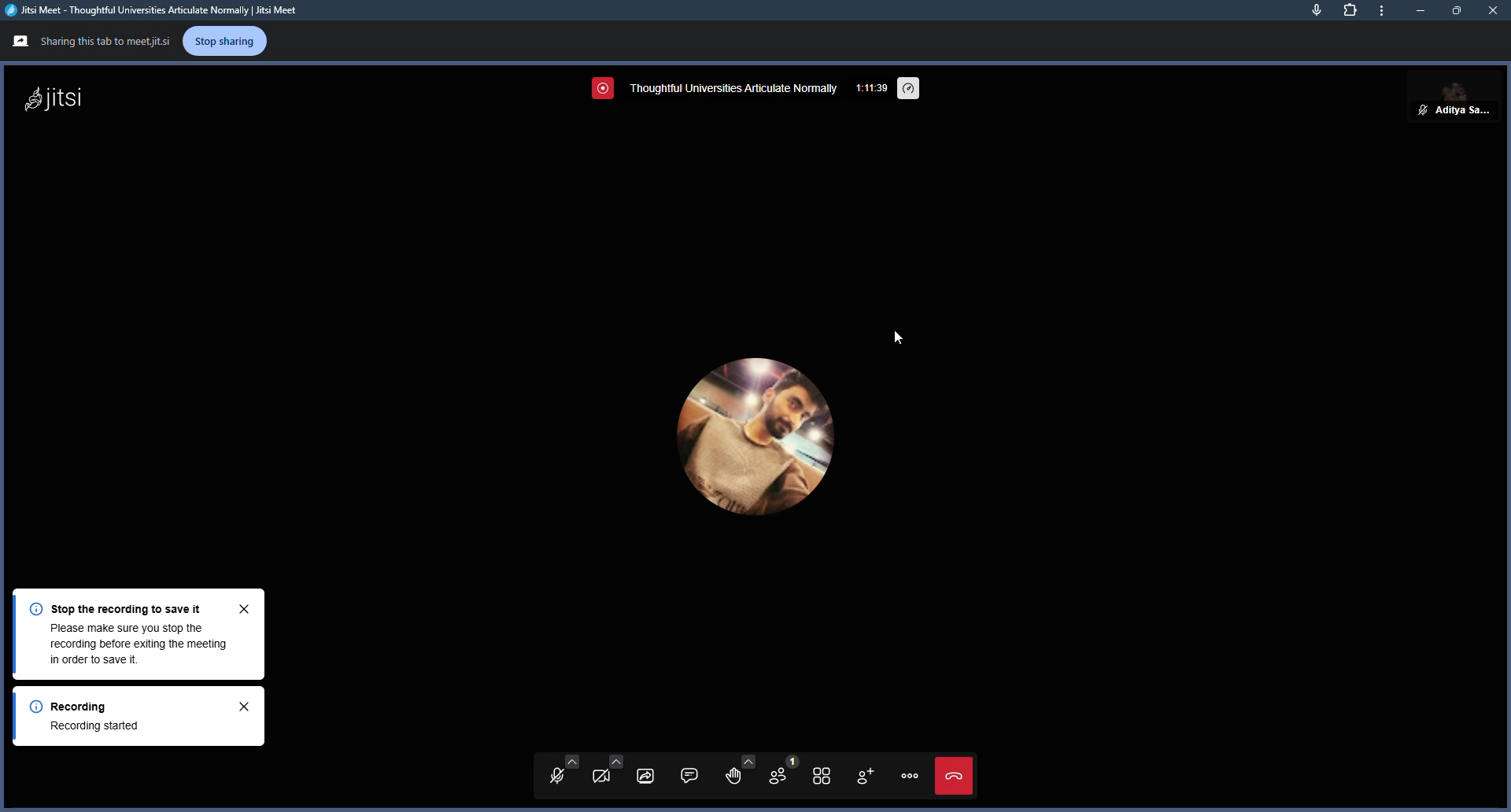 Image resolution: width=1511 pixels, height=812 pixels. What do you see at coordinates (871, 90) in the screenshot?
I see `1:11:28` at bounding box center [871, 90].